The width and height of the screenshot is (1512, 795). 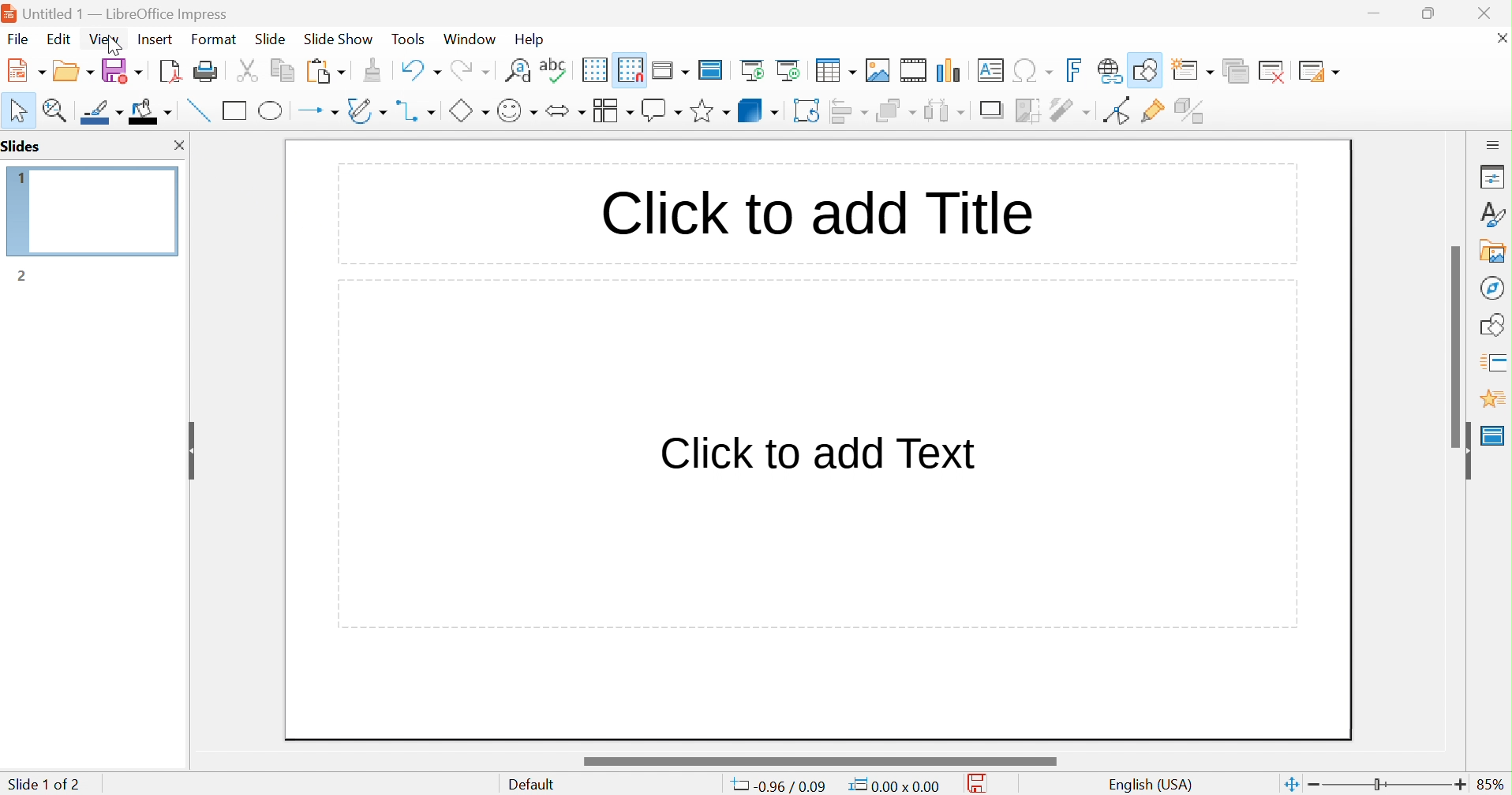 What do you see at coordinates (103, 112) in the screenshot?
I see `line color` at bounding box center [103, 112].